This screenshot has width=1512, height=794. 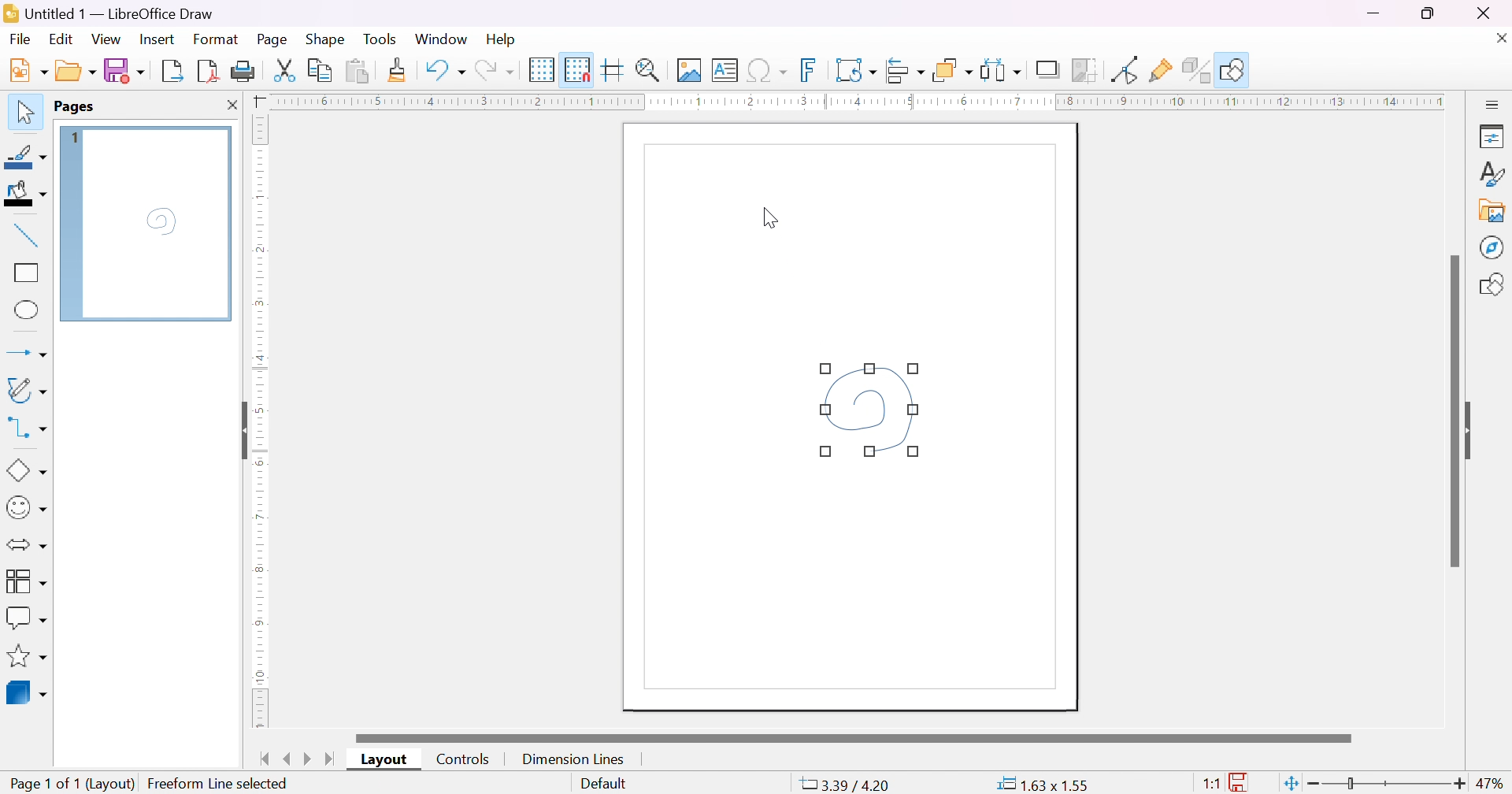 I want to click on cursor, so click(x=769, y=217).